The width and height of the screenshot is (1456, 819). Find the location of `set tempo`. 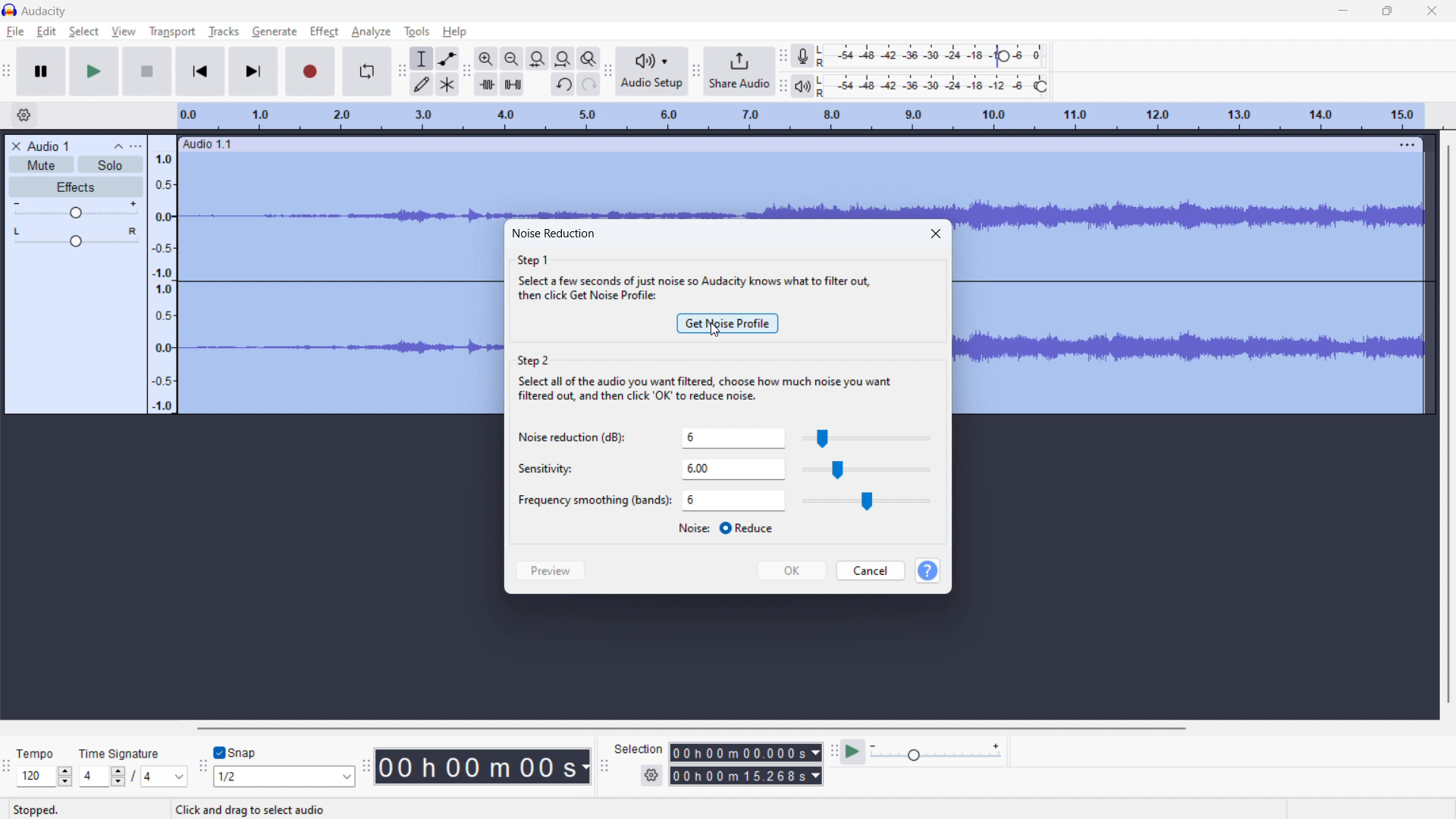

set tempo is located at coordinates (45, 766).